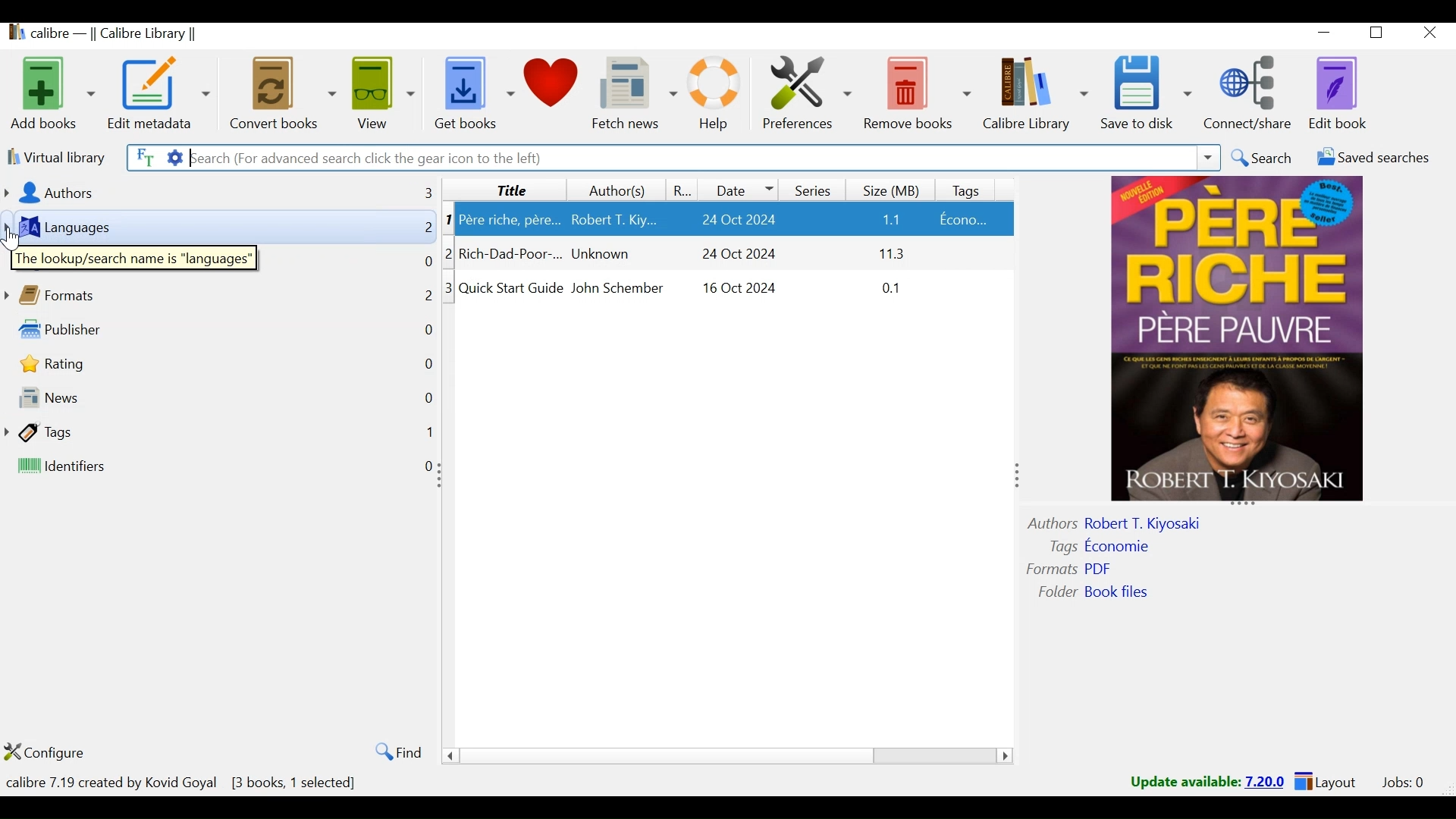  Describe the element at coordinates (1146, 93) in the screenshot. I see `Save to disk` at that location.